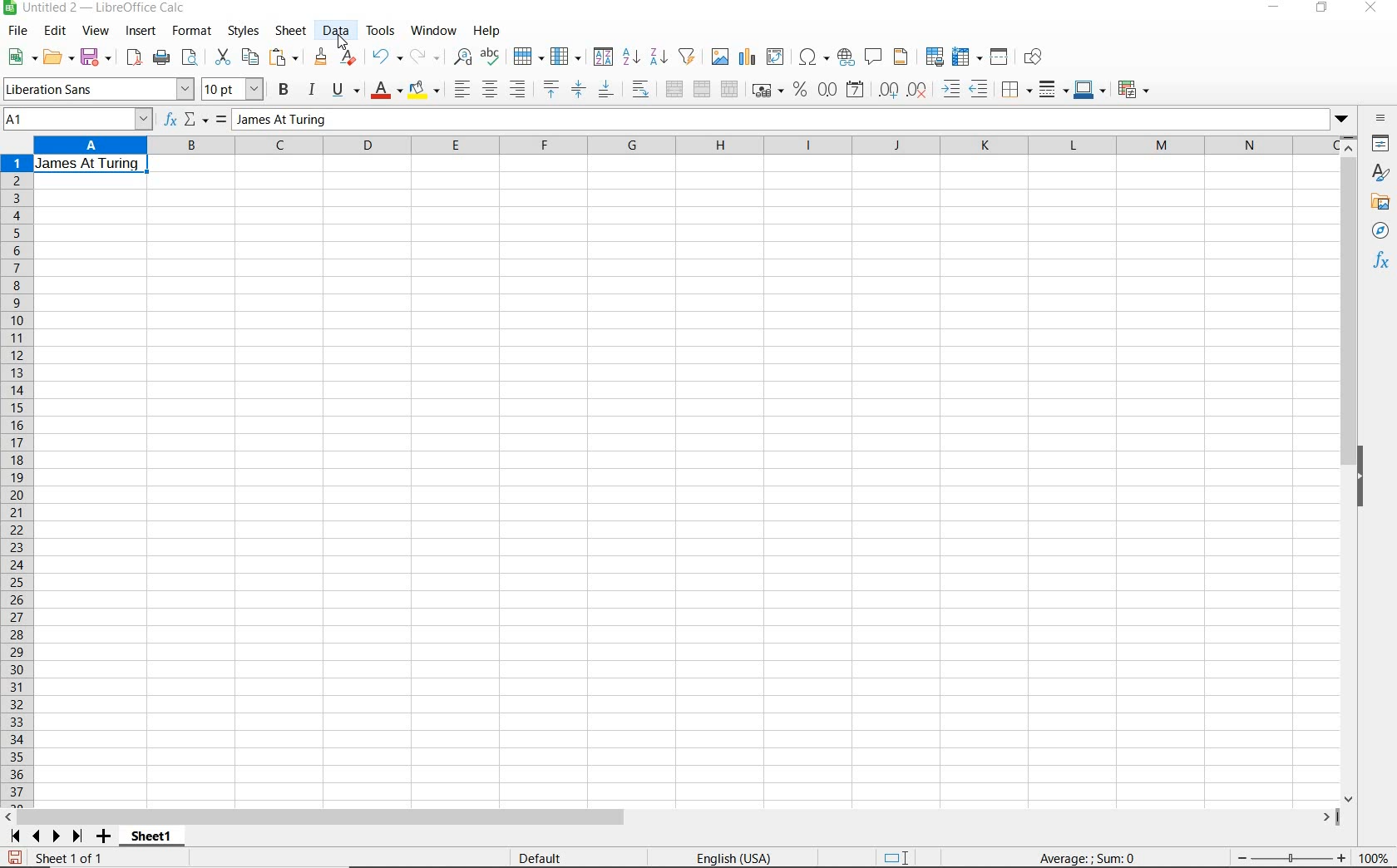  I want to click on split window, so click(1000, 57).